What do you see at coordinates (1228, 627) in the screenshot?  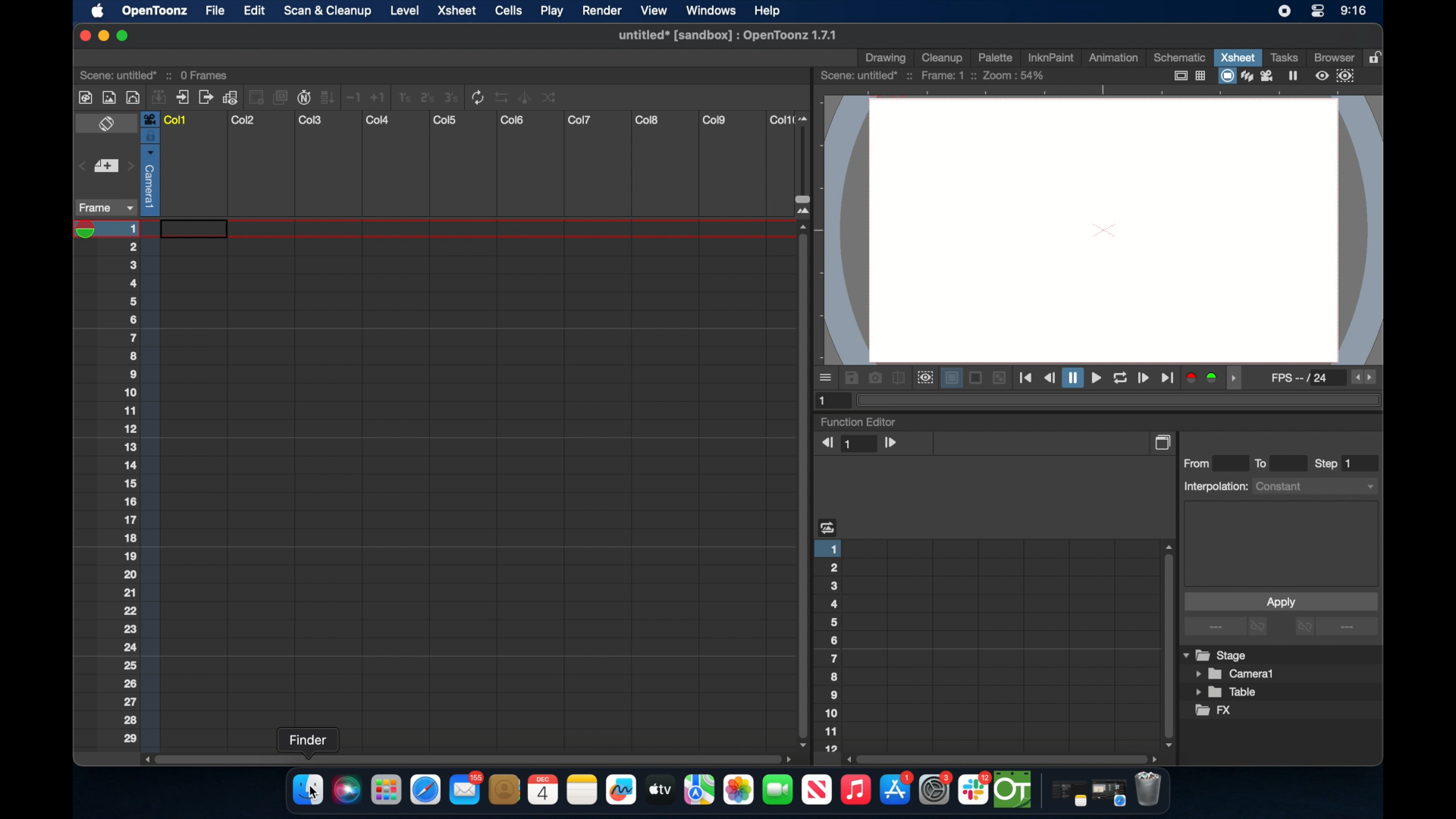 I see `more  options` at bounding box center [1228, 627].